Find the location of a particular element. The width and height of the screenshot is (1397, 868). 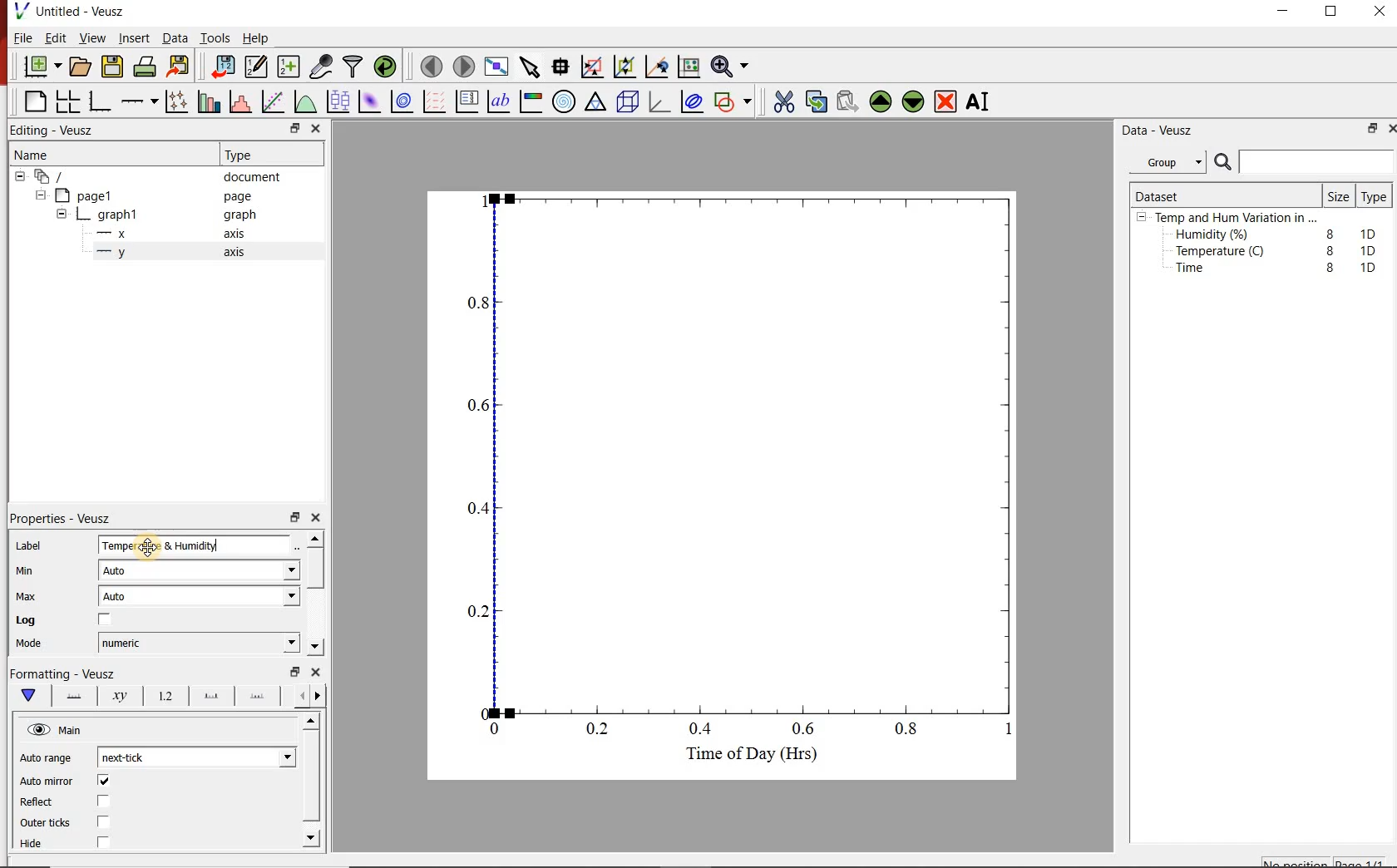

click to reset graph axes is located at coordinates (686, 67).